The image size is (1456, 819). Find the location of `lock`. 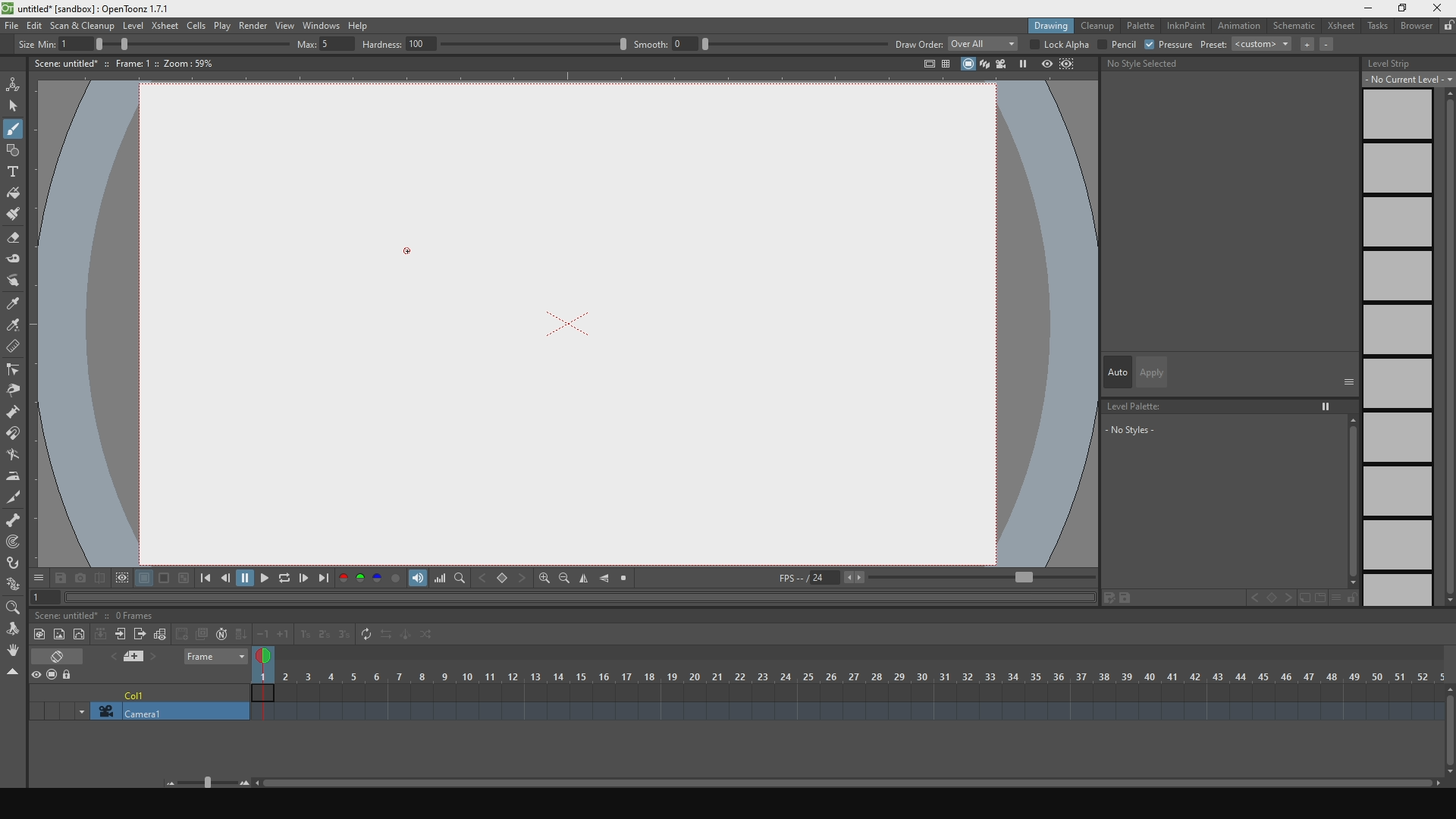

lock is located at coordinates (1447, 27).